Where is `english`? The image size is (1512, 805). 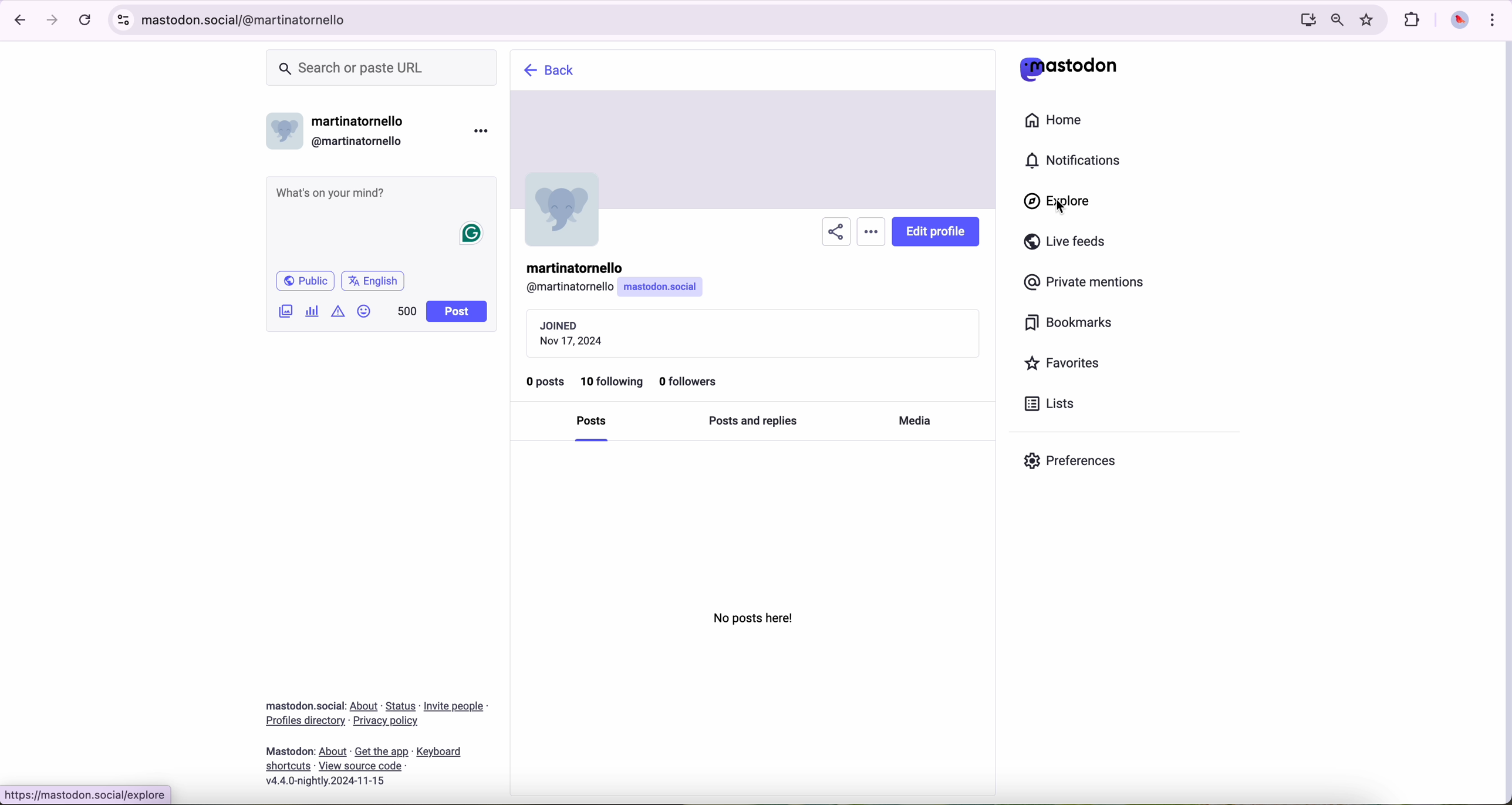
english is located at coordinates (375, 280).